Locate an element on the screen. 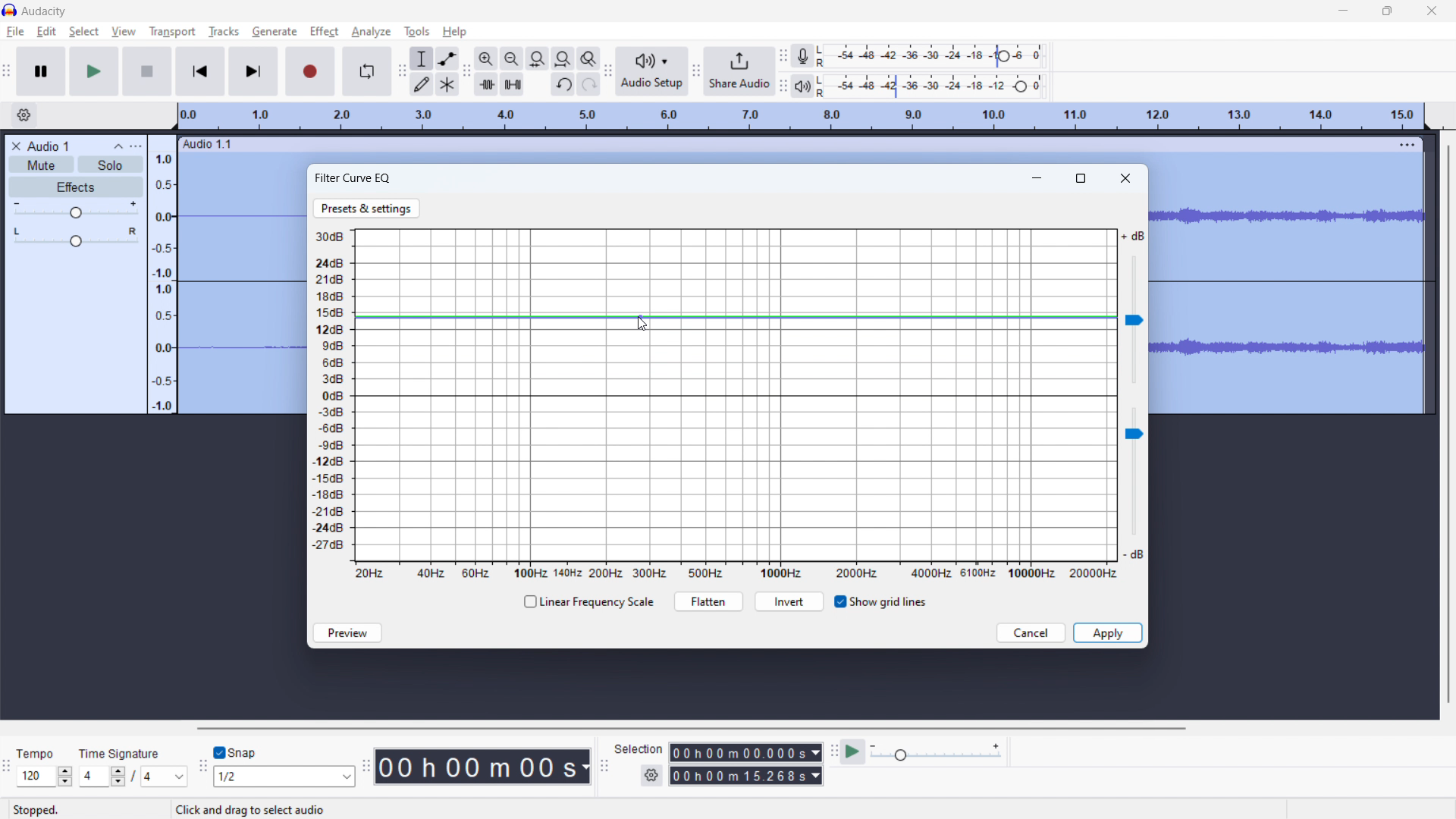 This screenshot has width=1456, height=819. view menu is located at coordinates (136, 146).